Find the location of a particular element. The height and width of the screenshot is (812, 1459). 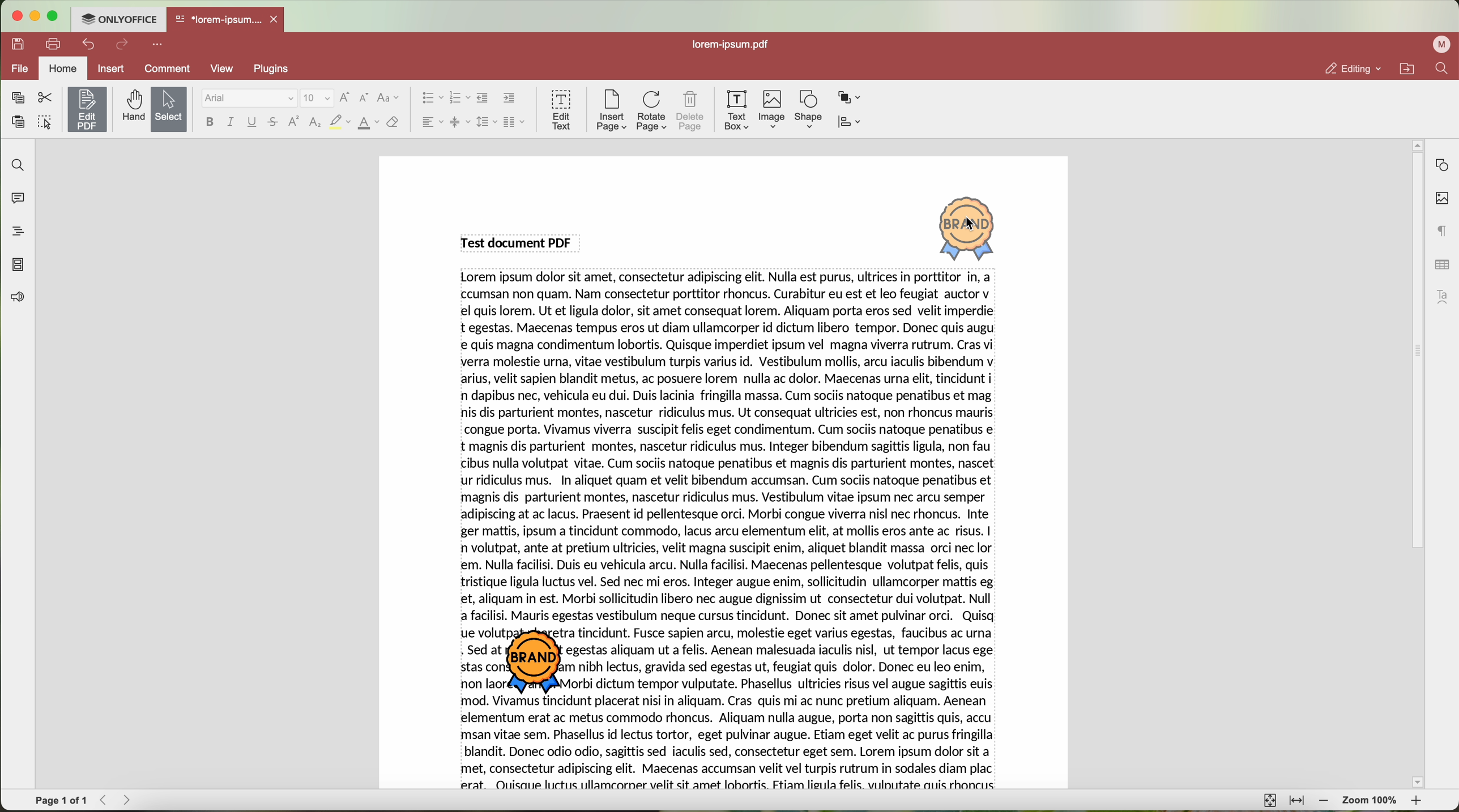

file is located at coordinates (18, 70).